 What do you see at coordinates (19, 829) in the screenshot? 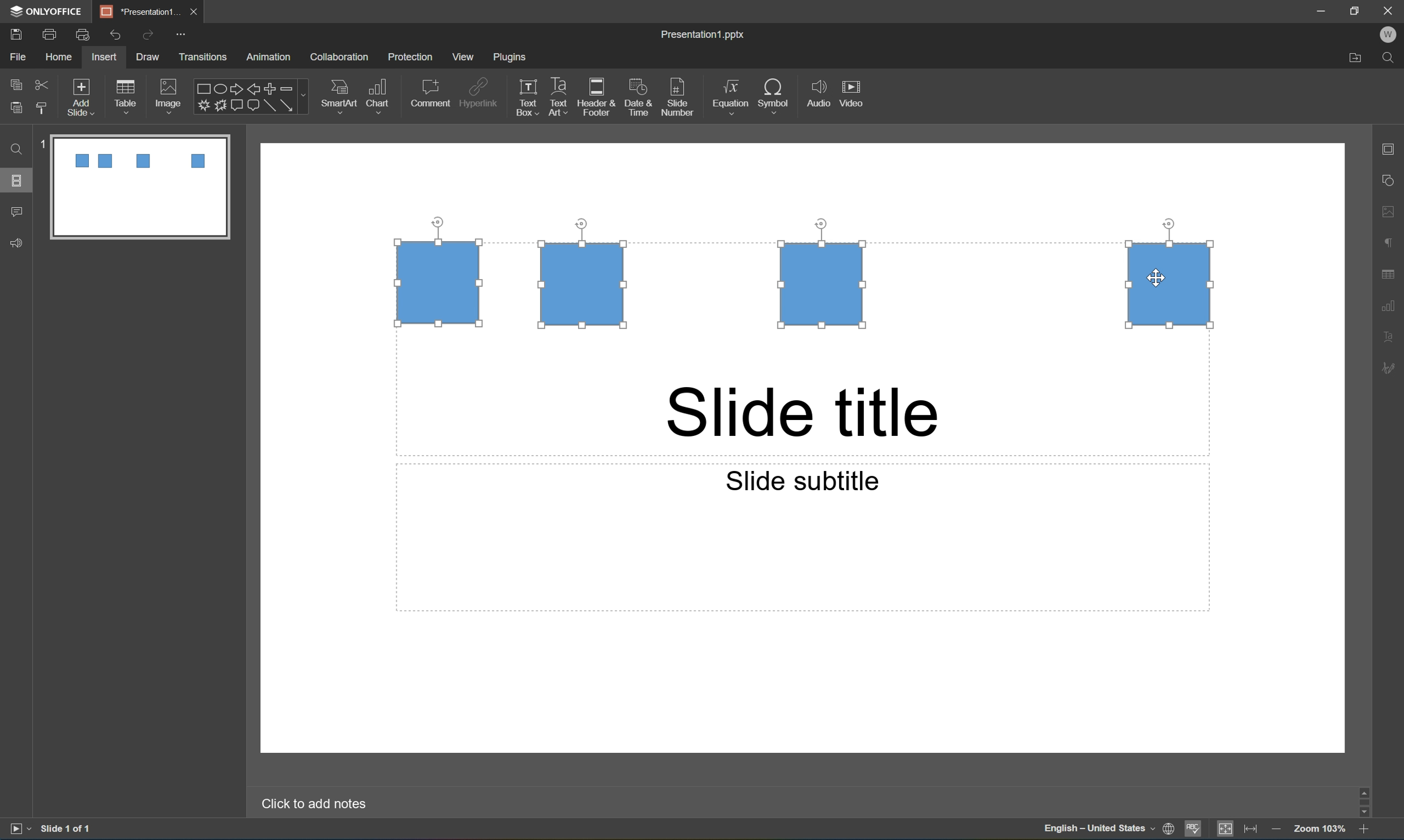
I see `start slideshow` at bounding box center [19, 829].